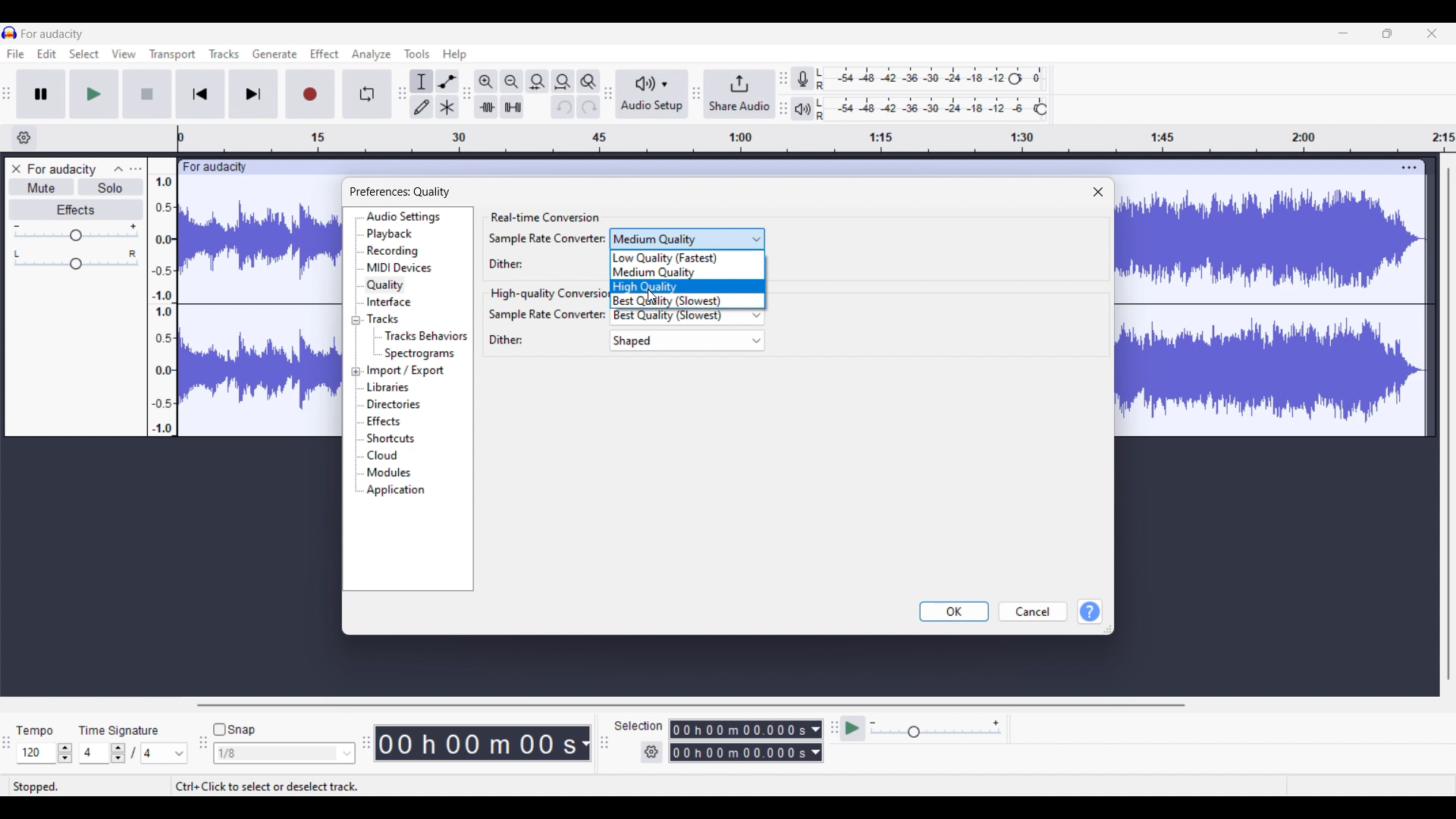 The width and height of the screenshot is (1456, 819). What do you see at coordinates (285, 753) in the screenshot?
I see `Snap options` at bounding box center [285, 753].